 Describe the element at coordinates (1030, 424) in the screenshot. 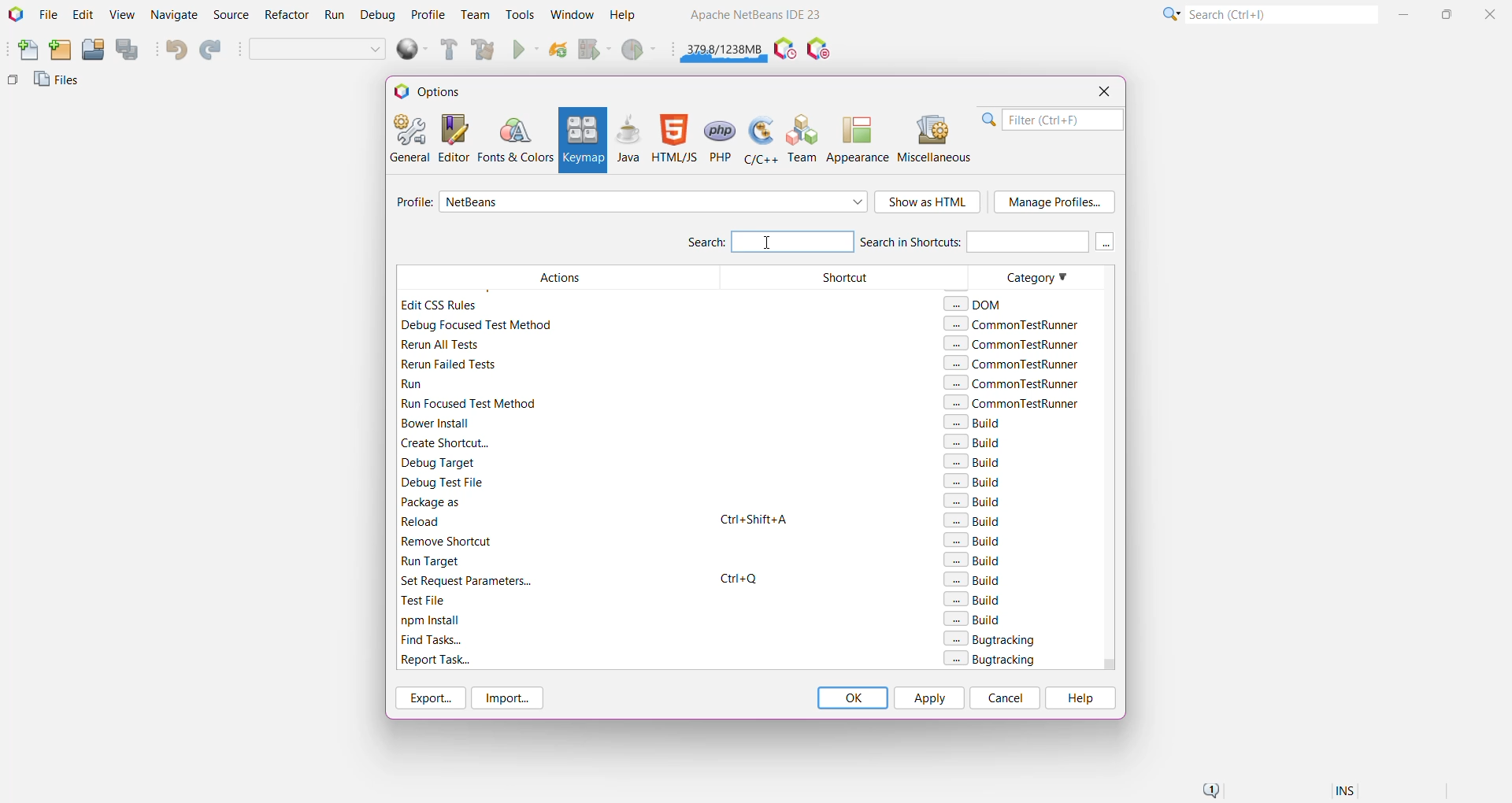

I see `Category` at that location.